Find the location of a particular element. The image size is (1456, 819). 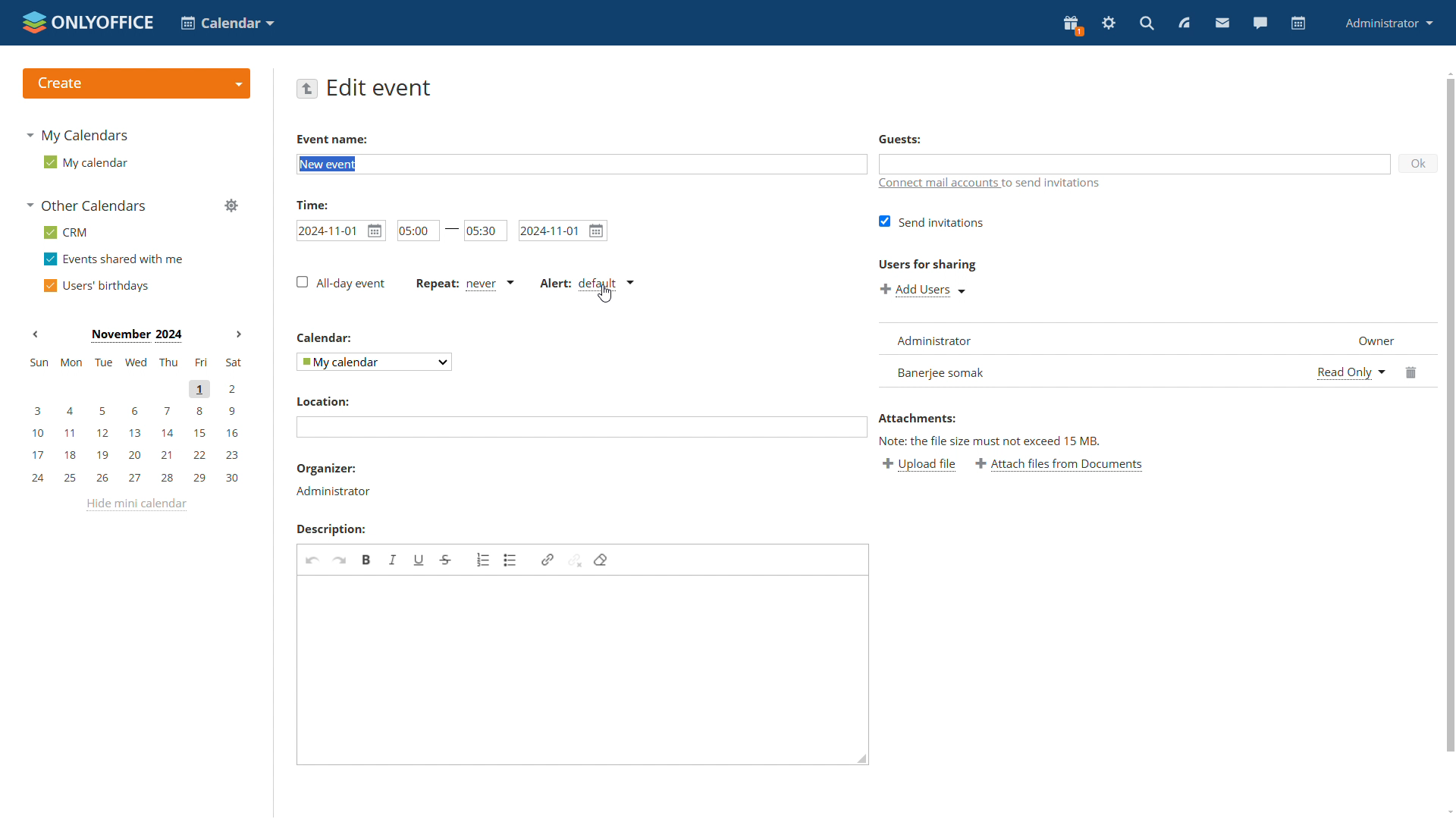

mini calendar is located at coordinates (135, 420).